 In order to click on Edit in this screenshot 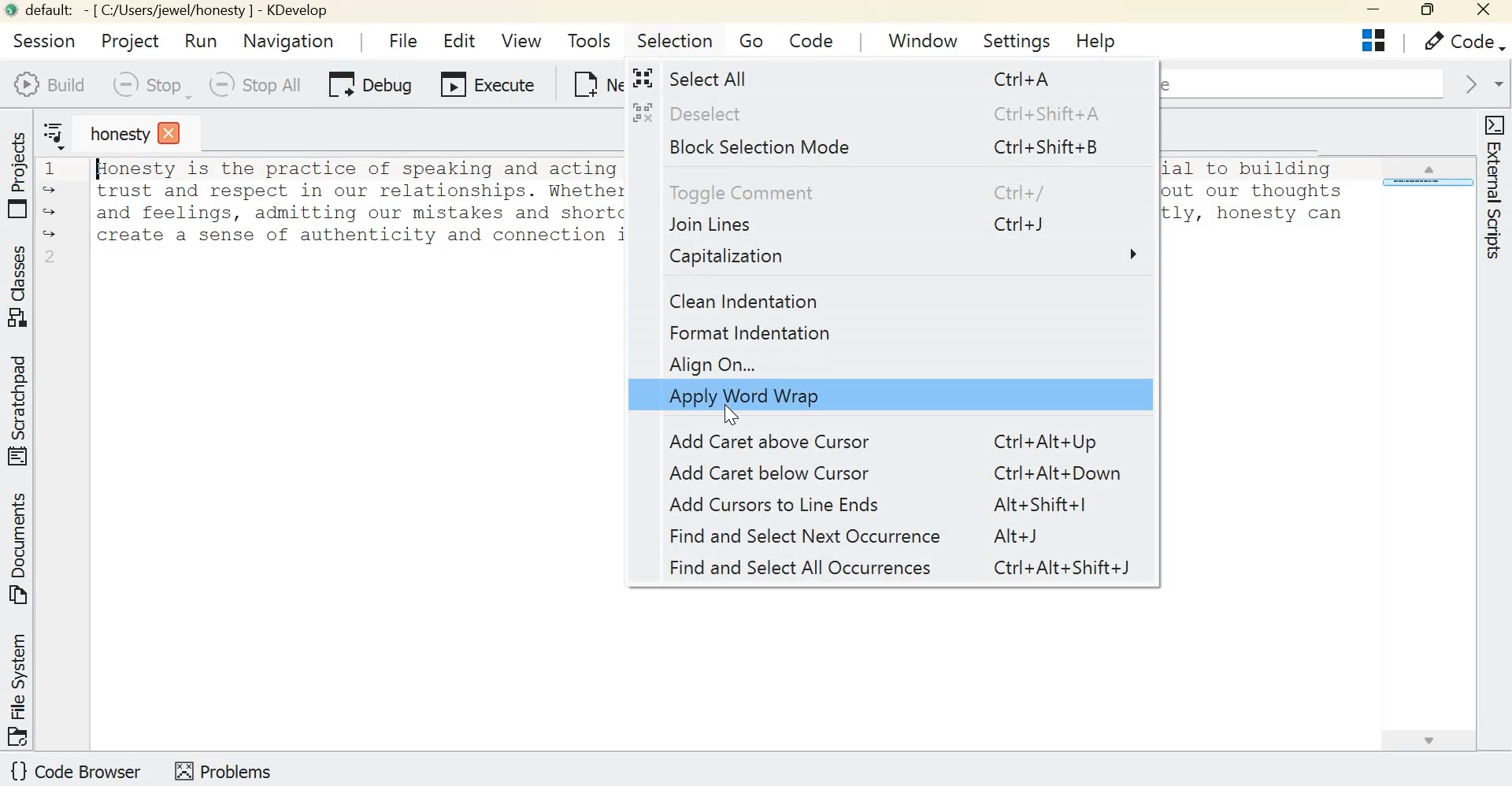, I will do `click(462, 43)`.